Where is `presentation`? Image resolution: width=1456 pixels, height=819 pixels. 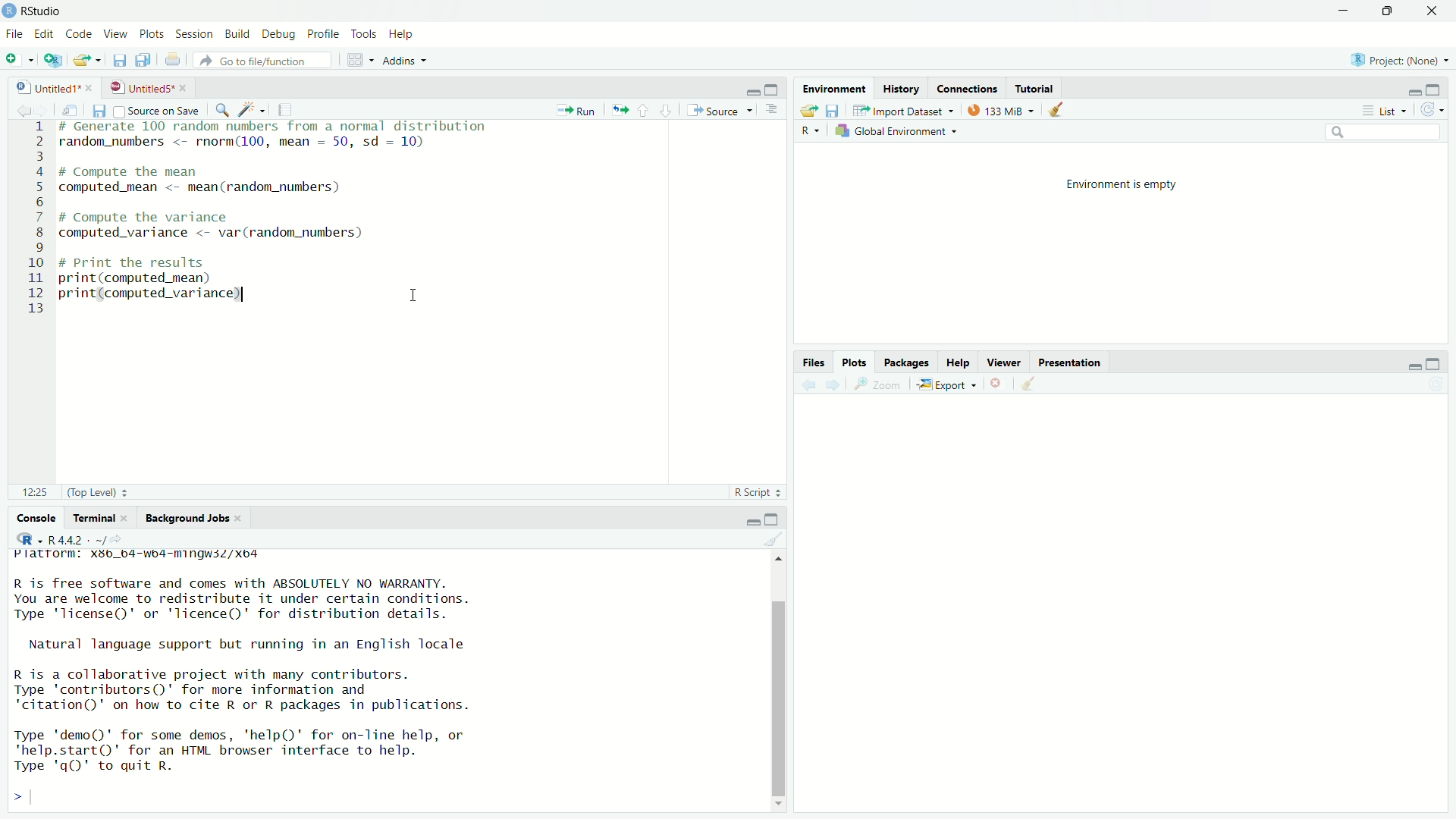 presentation is located at coordinates (1073, 361).